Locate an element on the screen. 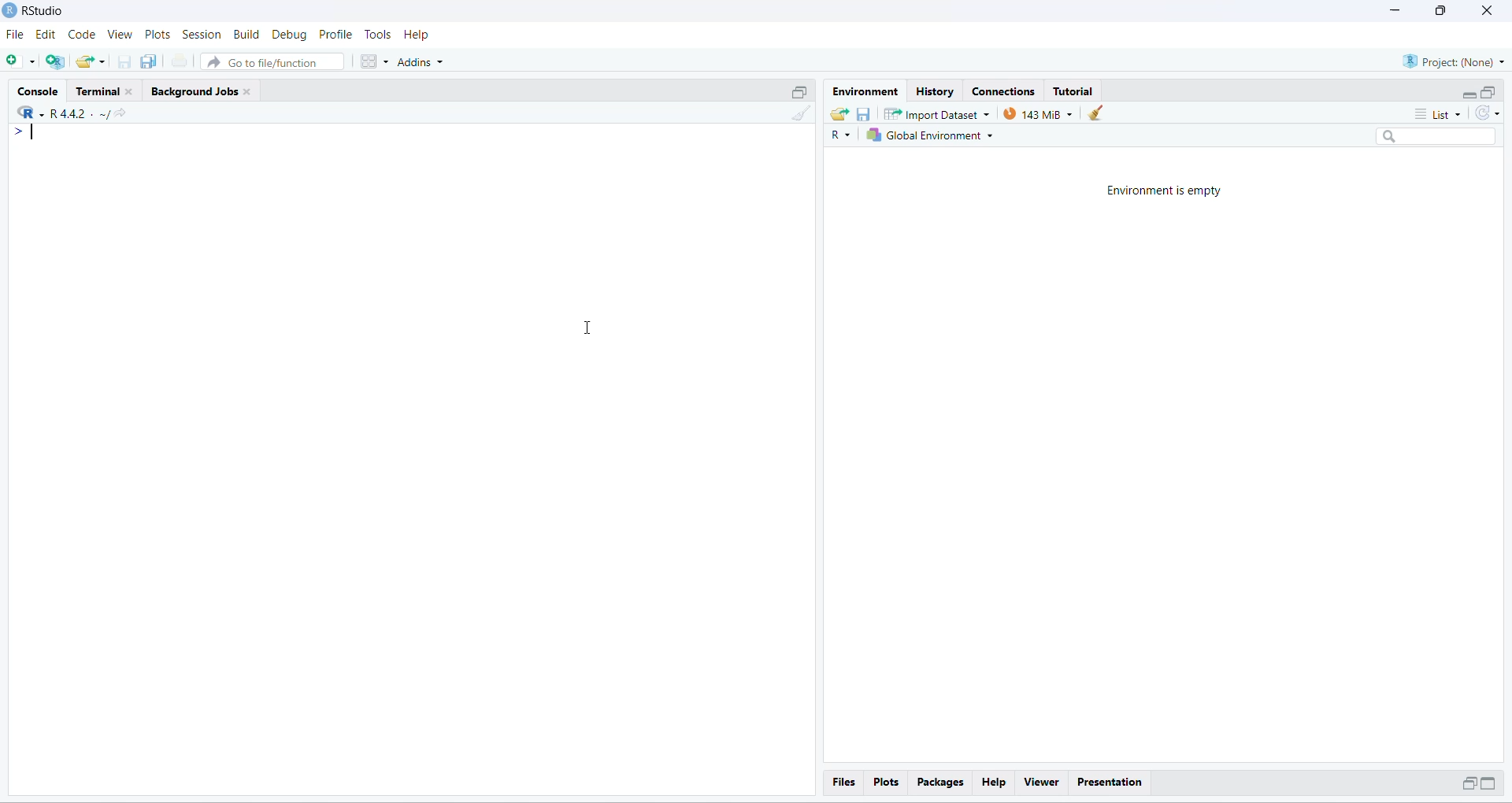 The image size is (1512, 803). list is located at coordinates (1438, 114).